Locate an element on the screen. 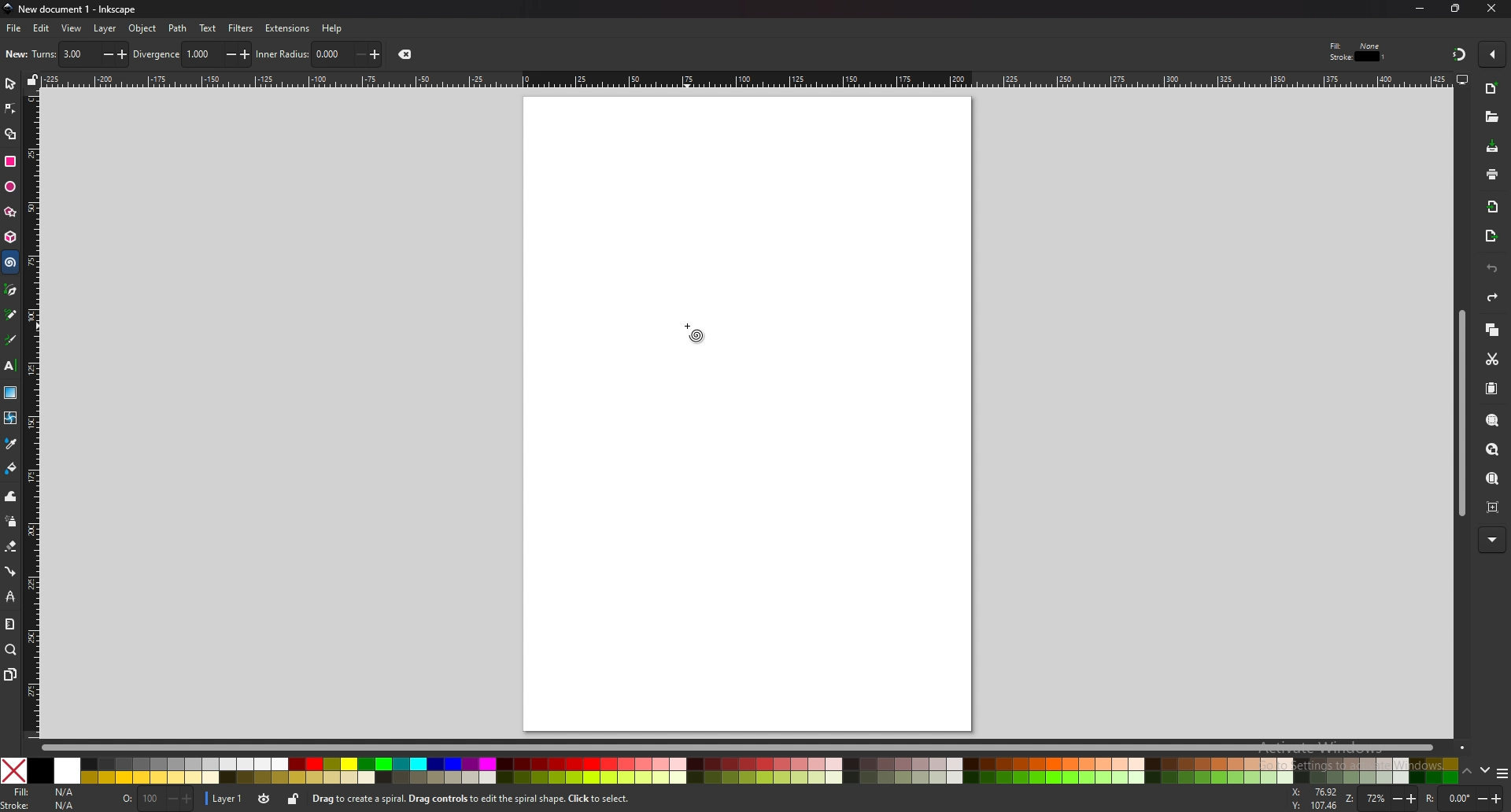 The width and height of the screenshot is (1511, 812). layer is located at coordinates (105, 28).